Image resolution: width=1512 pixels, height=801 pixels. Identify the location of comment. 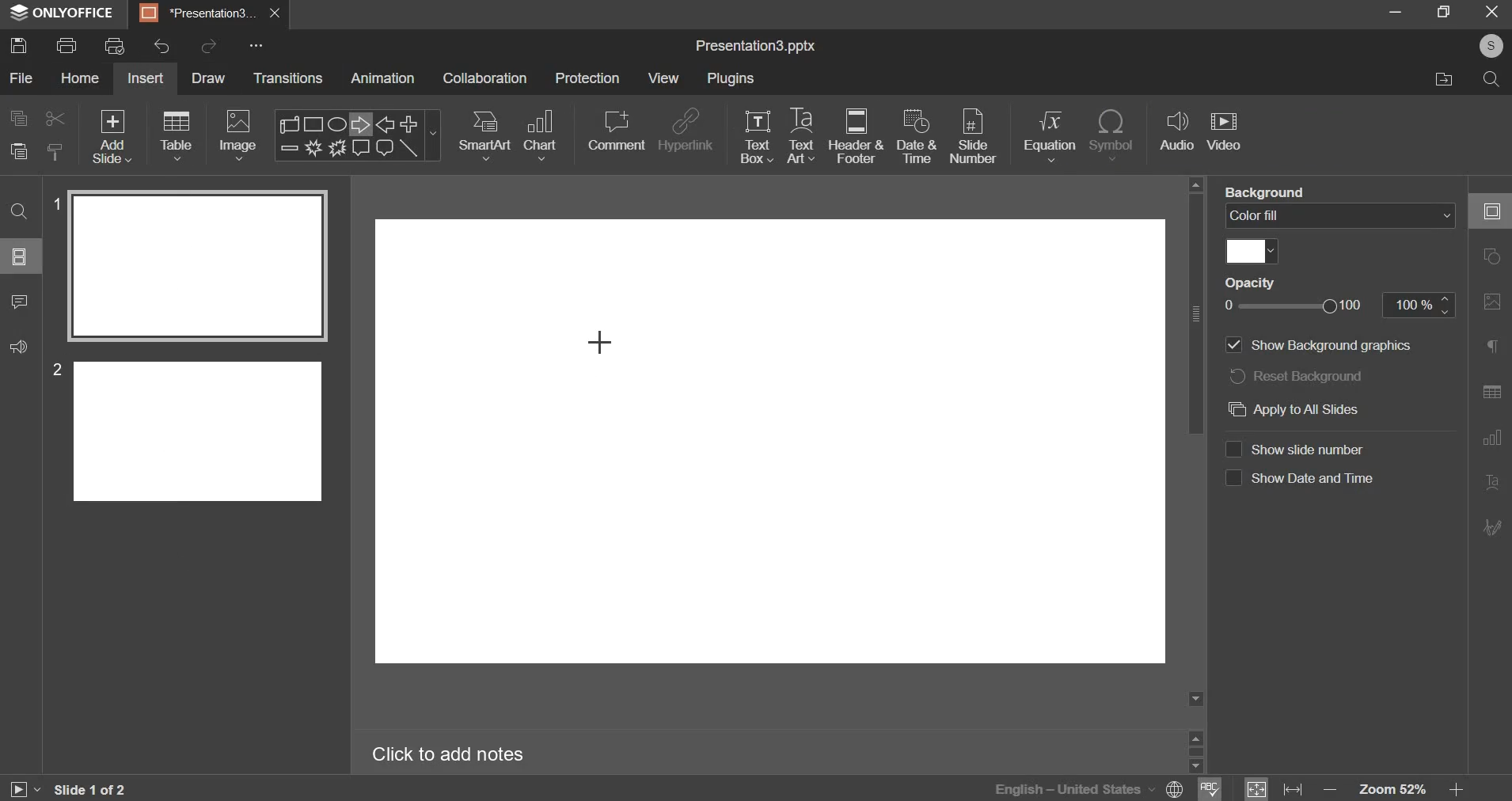
(21, 302).